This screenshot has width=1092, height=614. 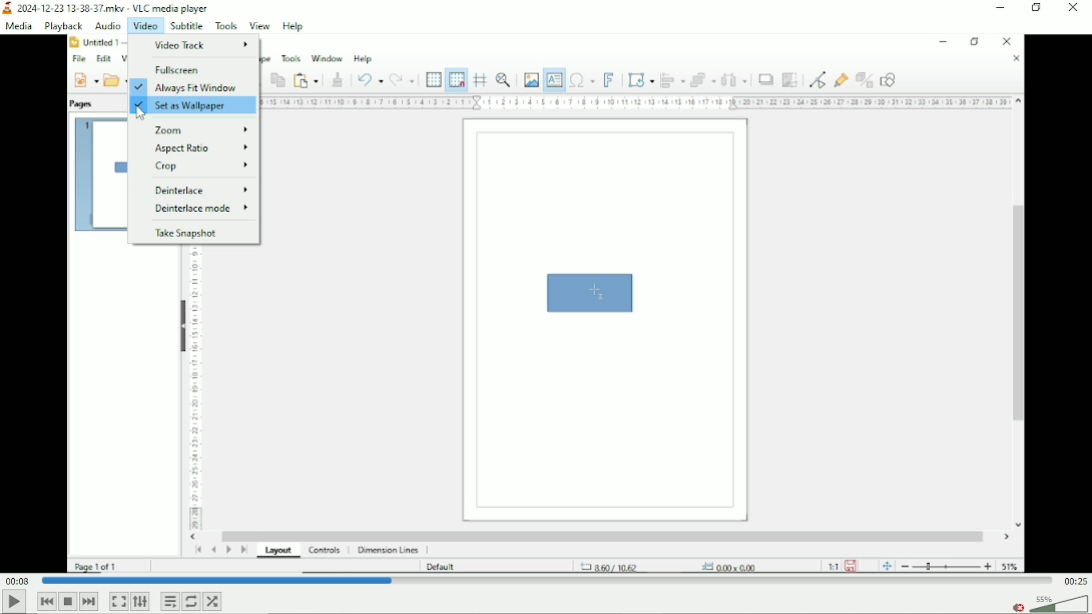 I want to click on Crop, so click(x=199, y=167).